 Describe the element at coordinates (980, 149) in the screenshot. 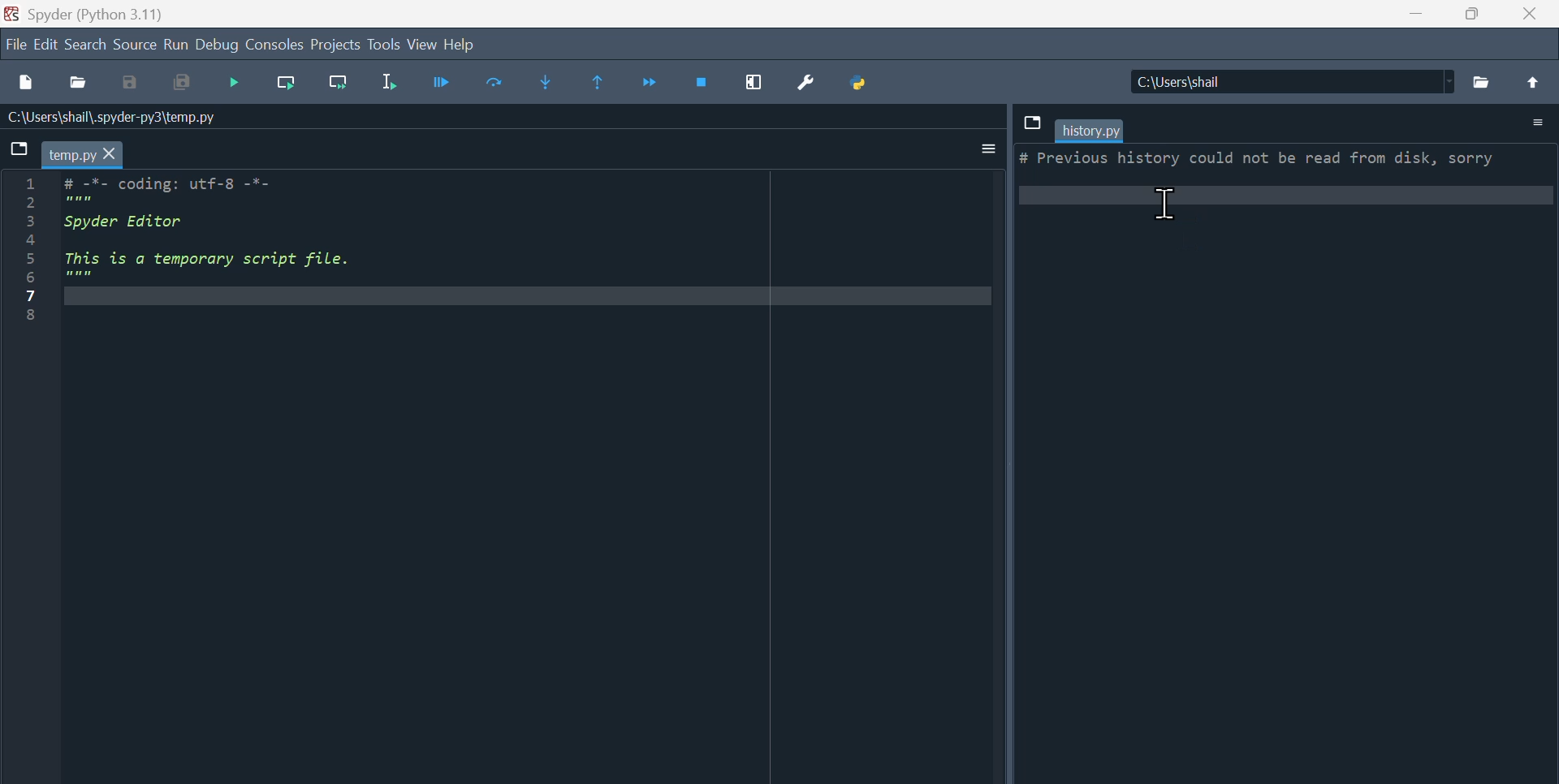

I see `More options` at that location.